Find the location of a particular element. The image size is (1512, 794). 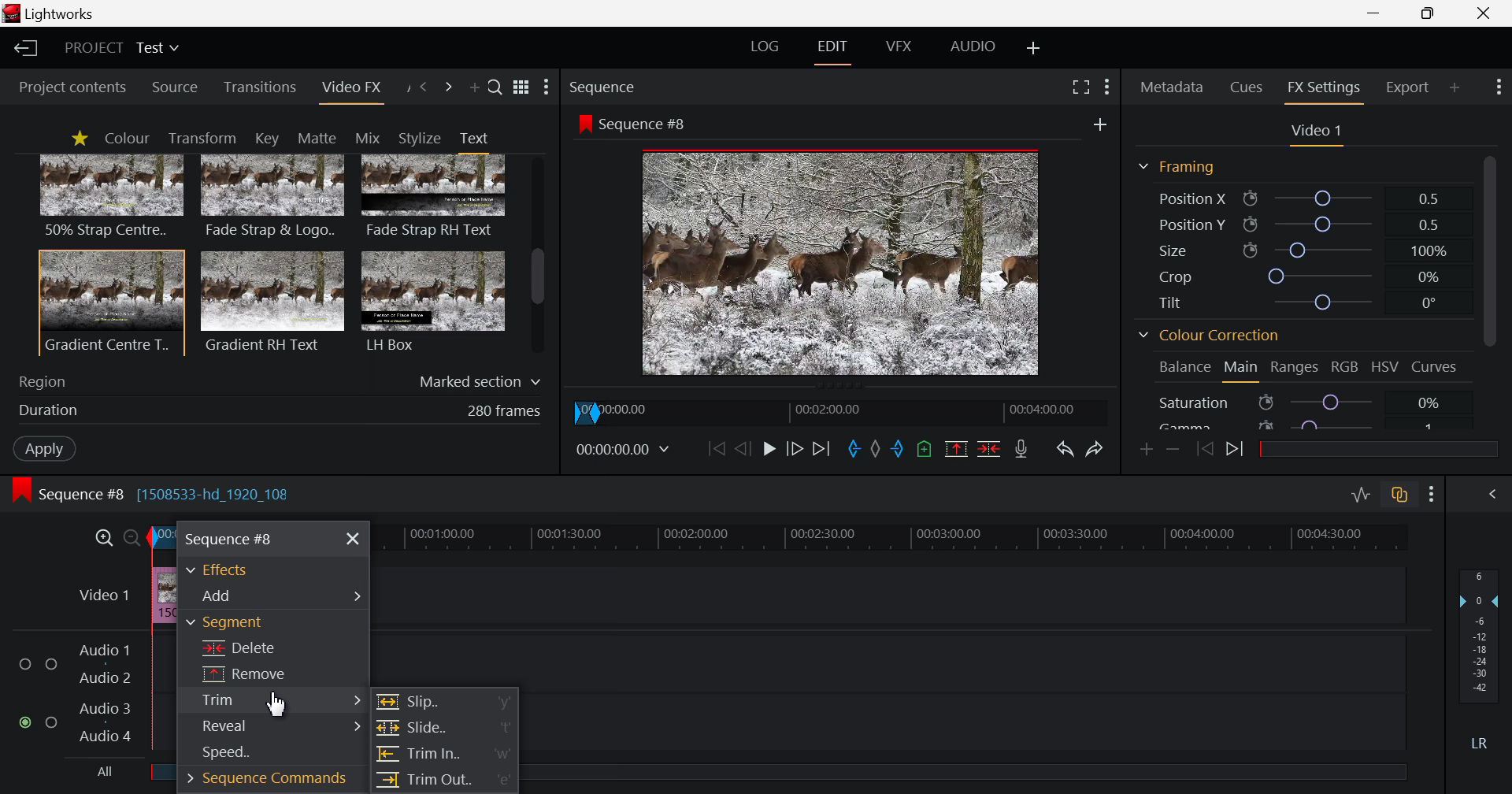

Add keyframe is located at coordinates (1143, 448).